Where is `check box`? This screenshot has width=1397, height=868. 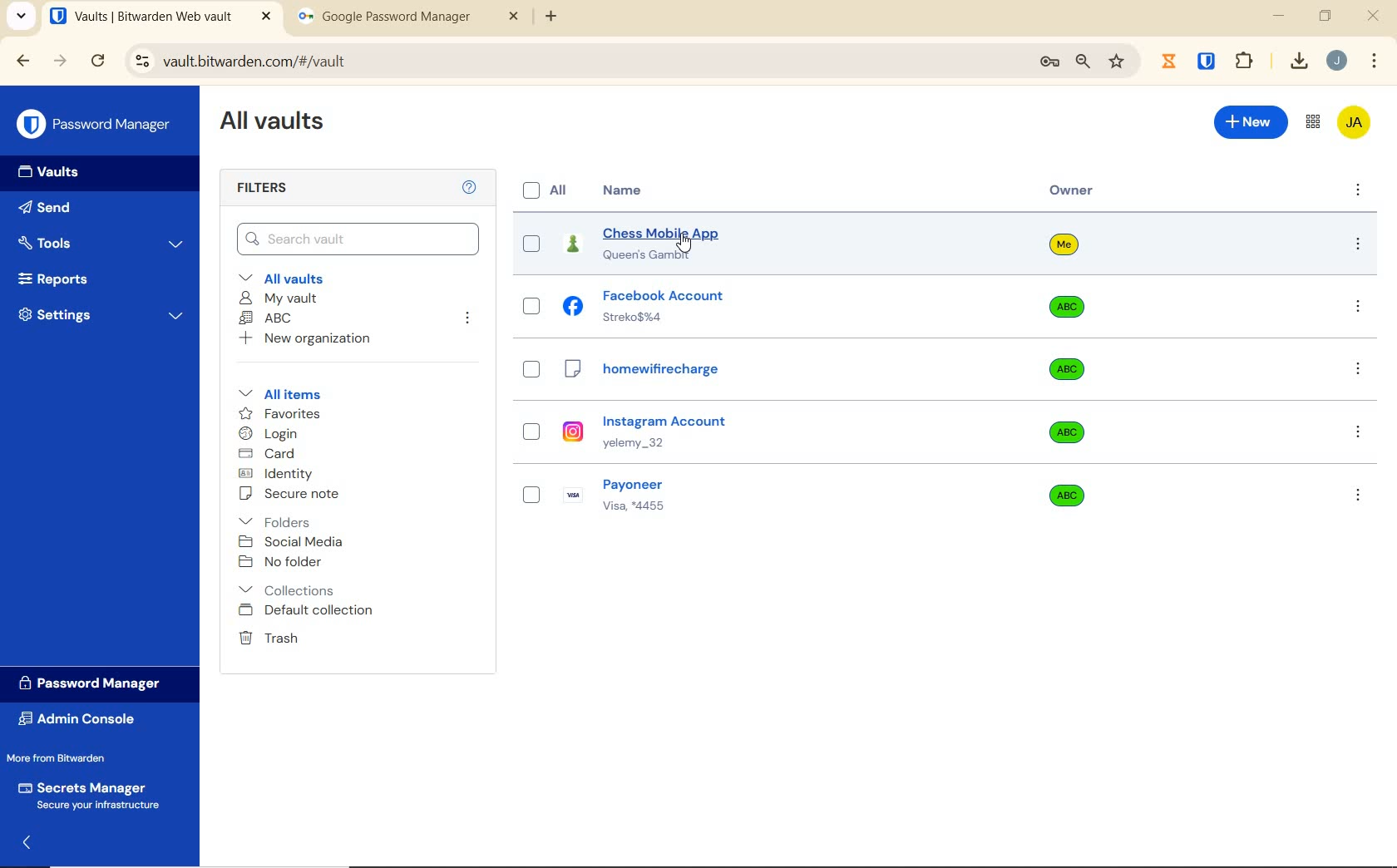 check box is located at coordinates (528, 426).